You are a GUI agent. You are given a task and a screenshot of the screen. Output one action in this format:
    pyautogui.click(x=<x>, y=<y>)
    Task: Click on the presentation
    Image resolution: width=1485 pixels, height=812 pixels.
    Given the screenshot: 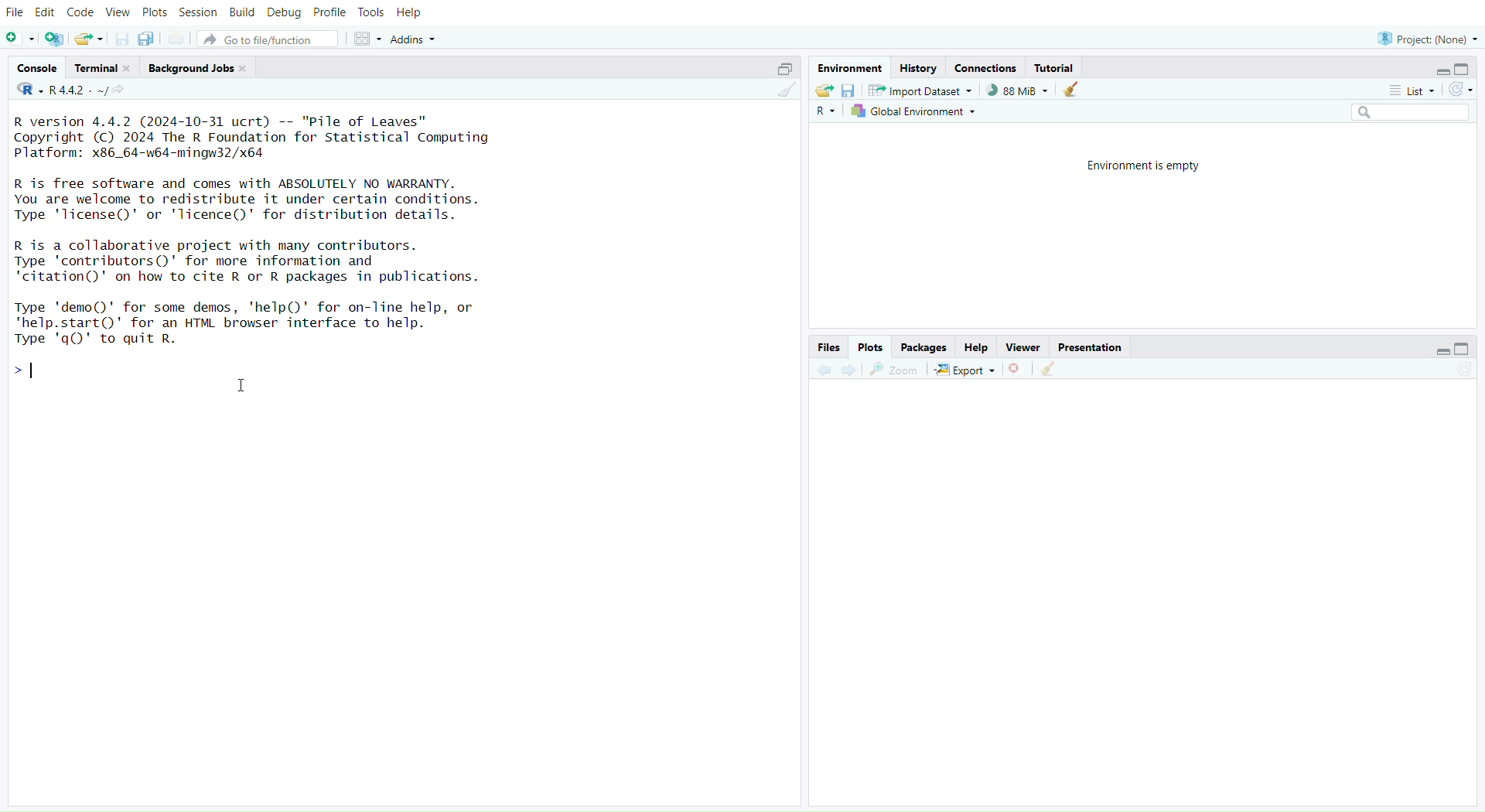 What is the action you would take?
    pyautogui.click(x=1092, y=349)
    